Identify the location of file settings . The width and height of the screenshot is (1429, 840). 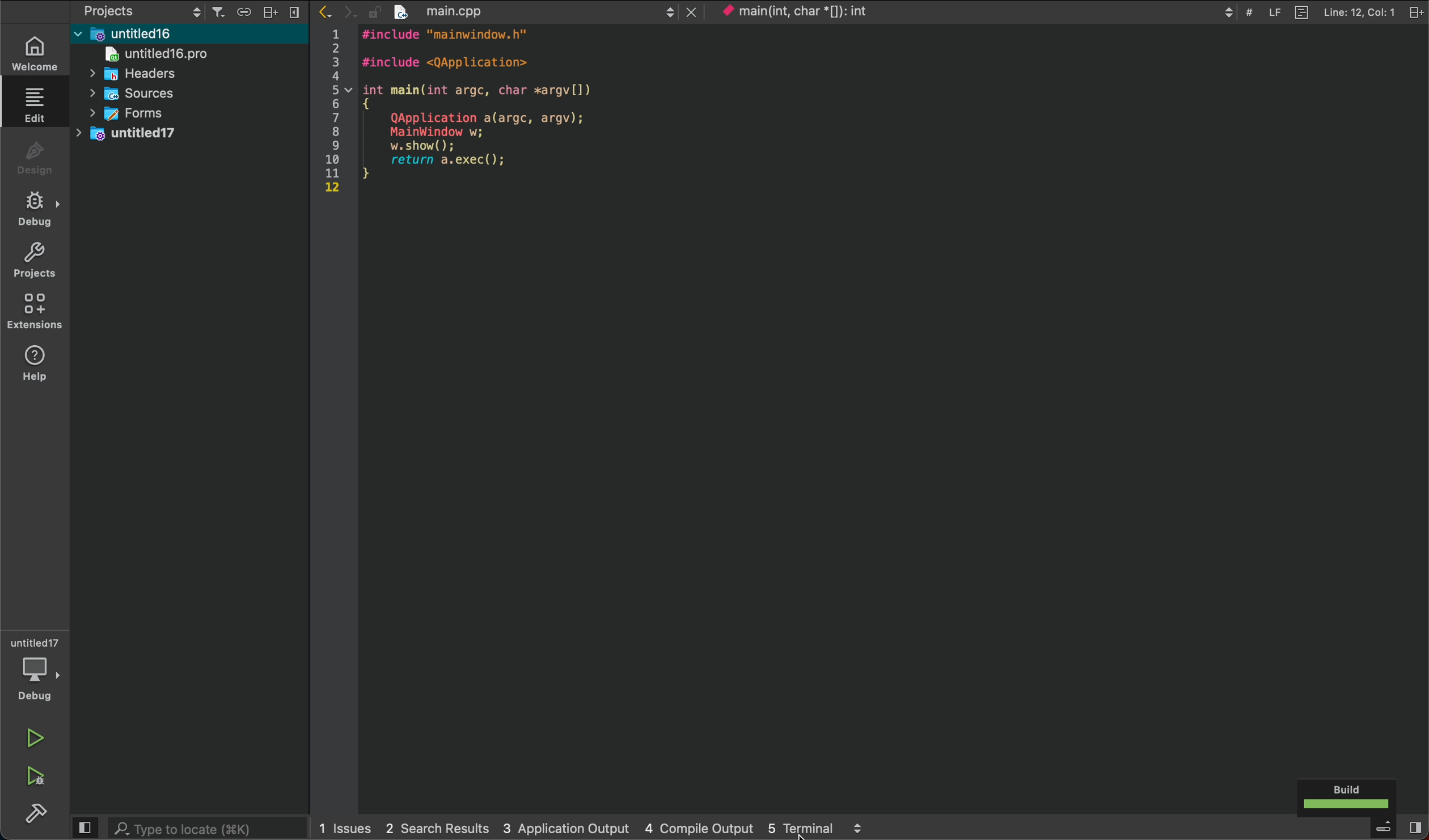
(1417, 10).